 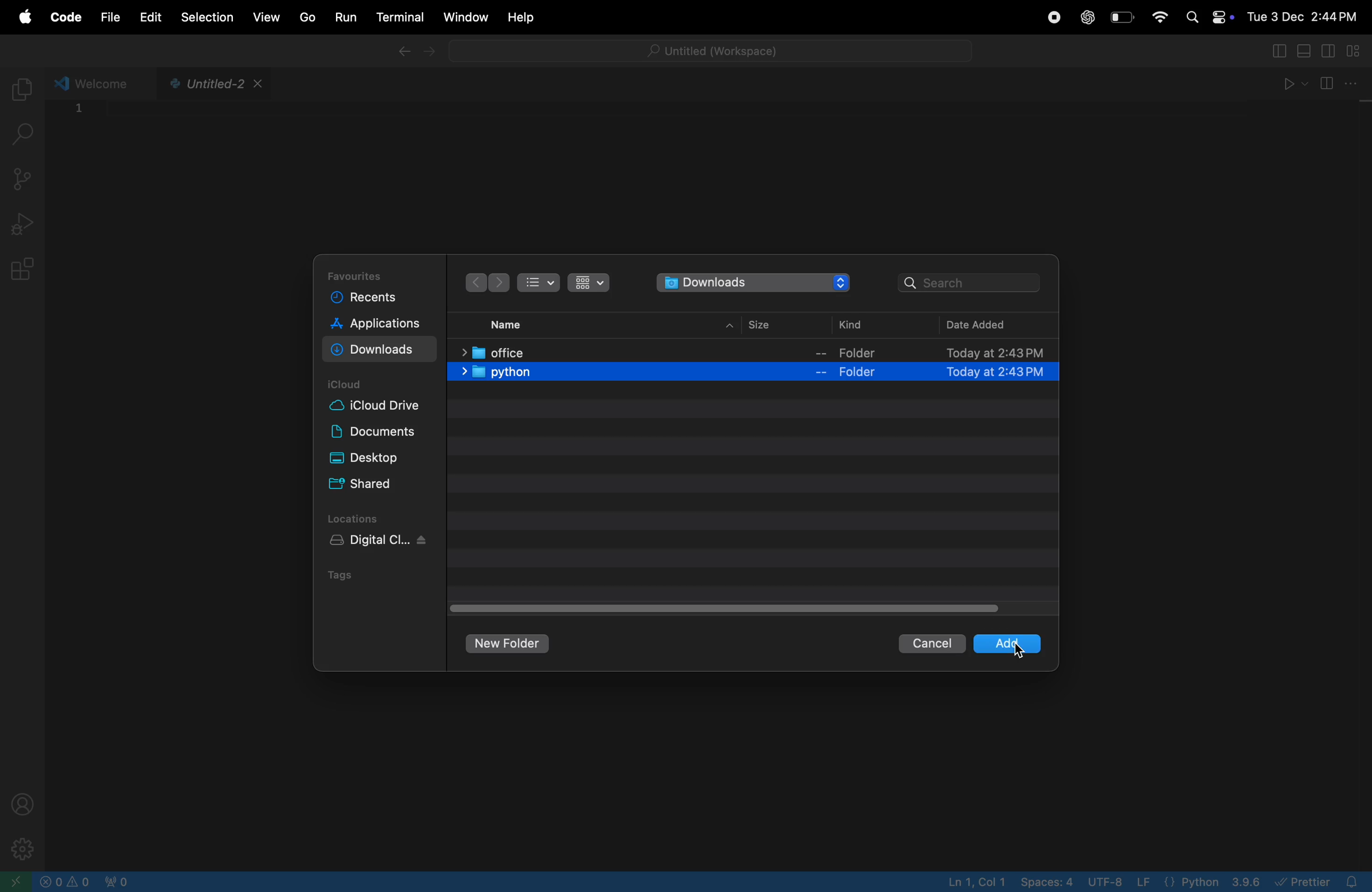 What do you see at coordinates (208, 17) in the screenshot?
I see `selection` at bounding box center [208, 17].